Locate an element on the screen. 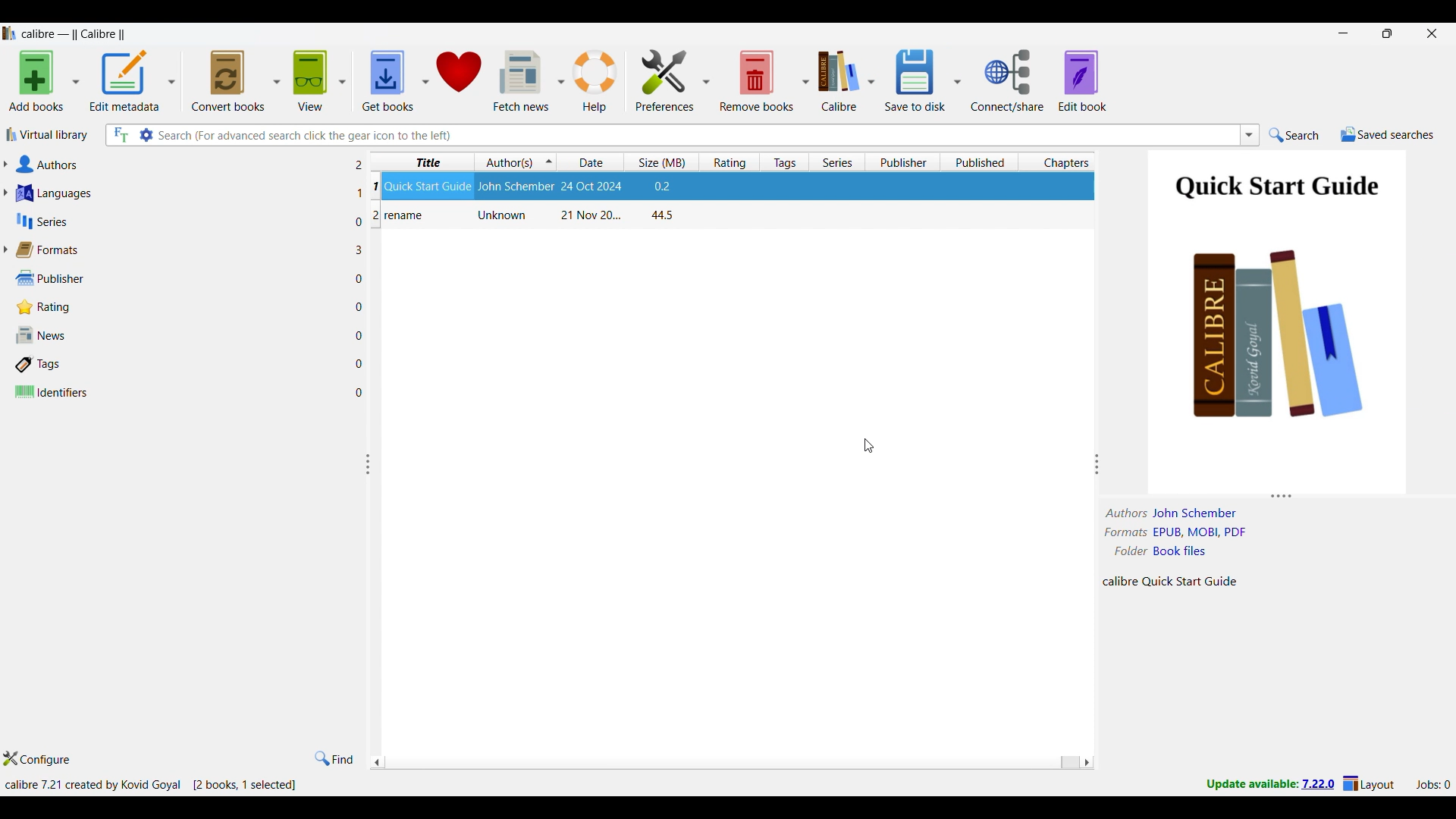 This screenshot has height=819, width=1456. Minimize is located at coordinates (1344, 33).